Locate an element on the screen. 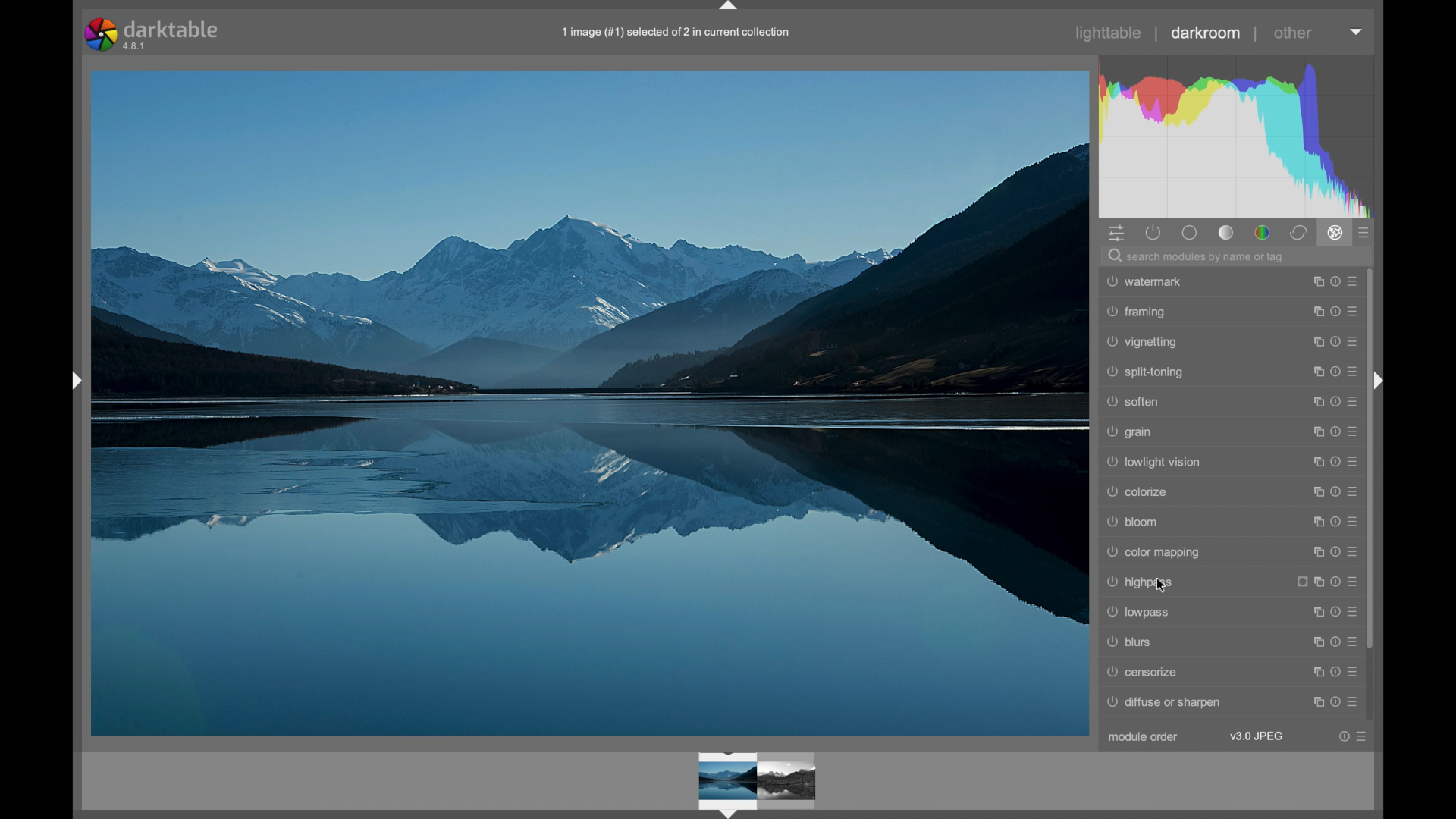  effect is located at coordinates (1335, 233).